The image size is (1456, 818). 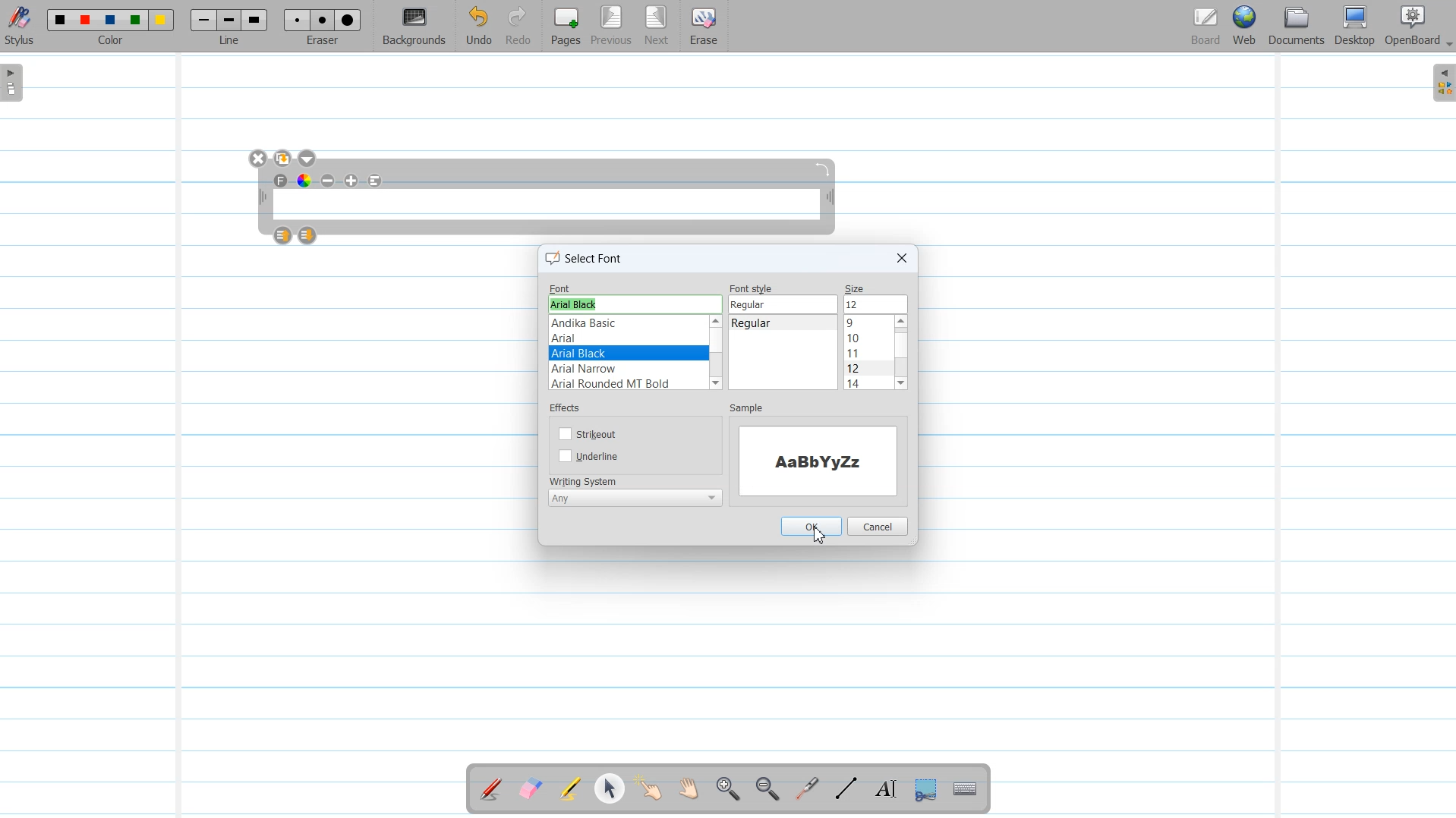 What do you see at coordinates (649, 790) in the screenshot?
I see `Interact With Item` at bounding box center [649, 790].